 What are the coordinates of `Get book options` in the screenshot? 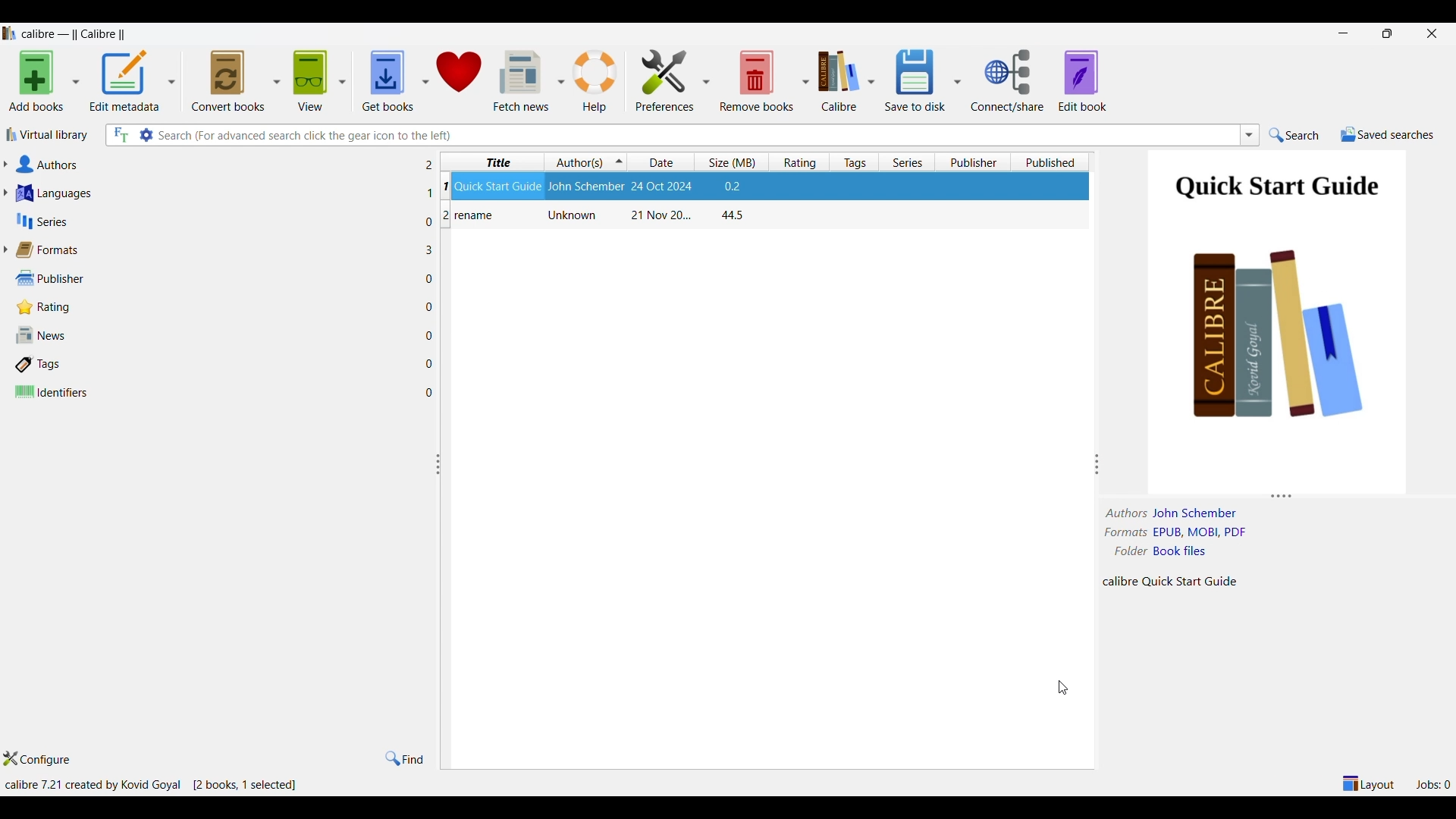 It's located at (424, 82).